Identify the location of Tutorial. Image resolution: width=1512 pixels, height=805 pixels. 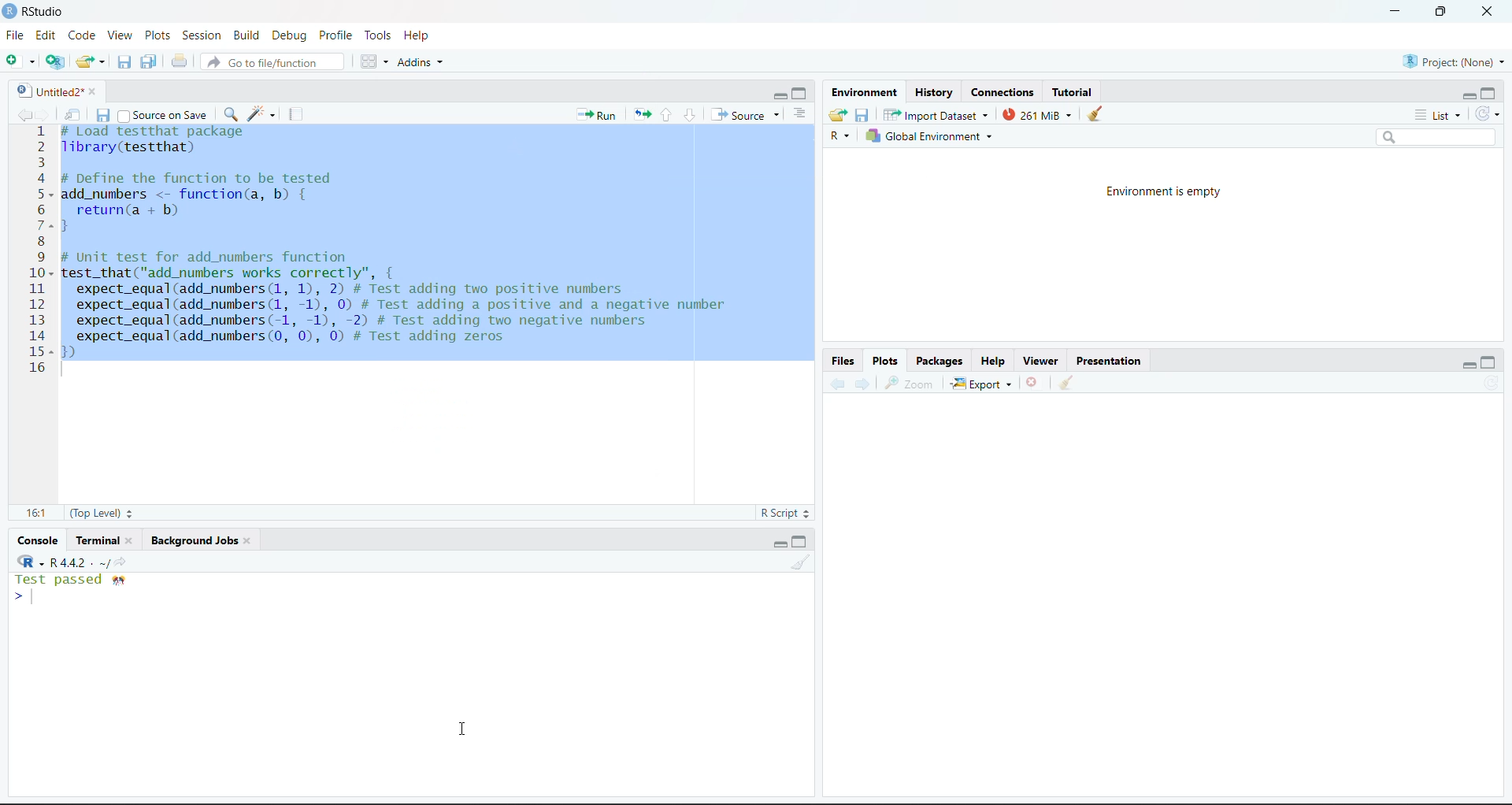
(1075, 91).